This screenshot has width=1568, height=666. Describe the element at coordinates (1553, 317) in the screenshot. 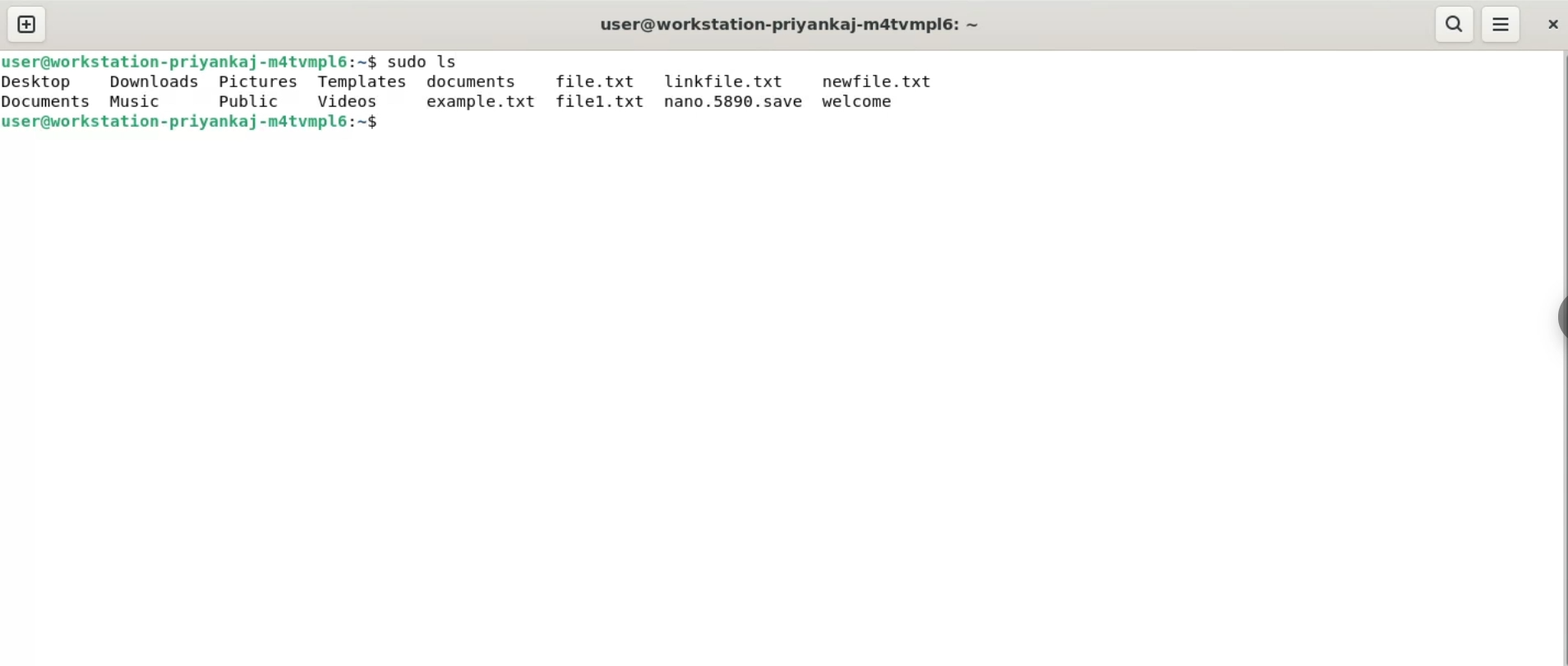

I see `sidebar` at that location.